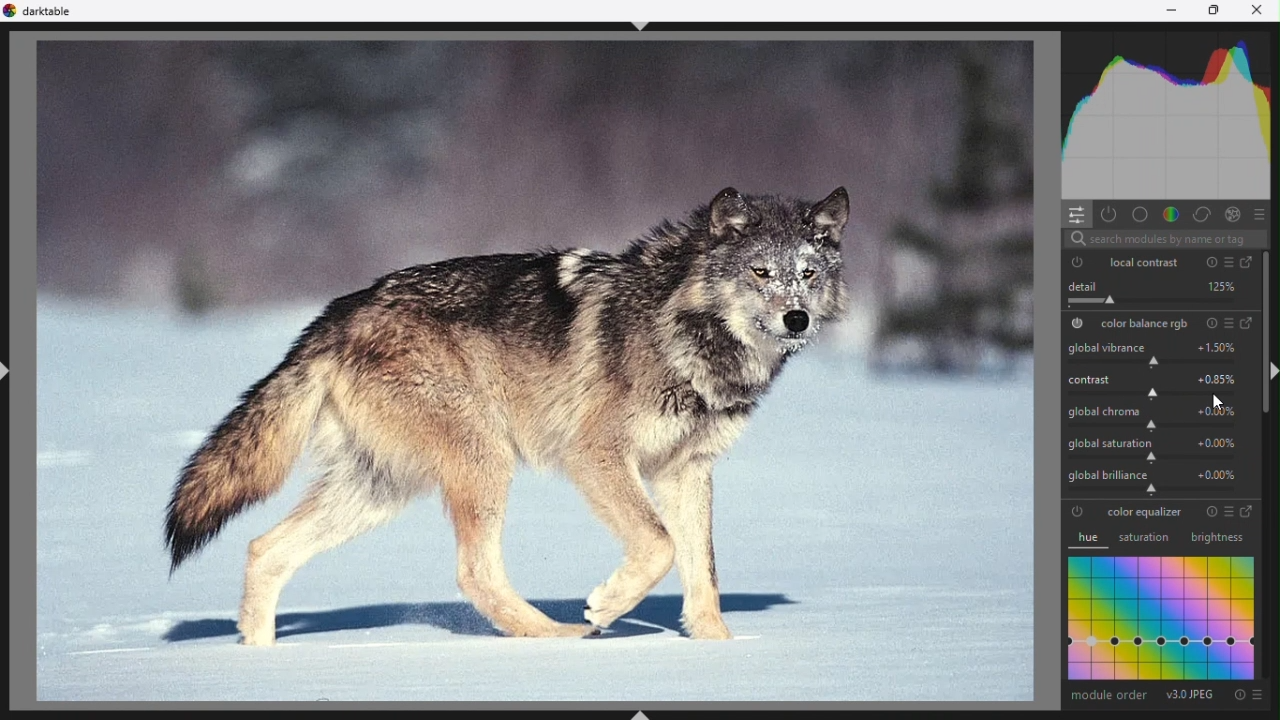 The height and width of the screenshot is (720, 1280). Describe the element at coordinates (1250, 512) in the screenshot. I see `go to full version of the color equalizer module` at that location.